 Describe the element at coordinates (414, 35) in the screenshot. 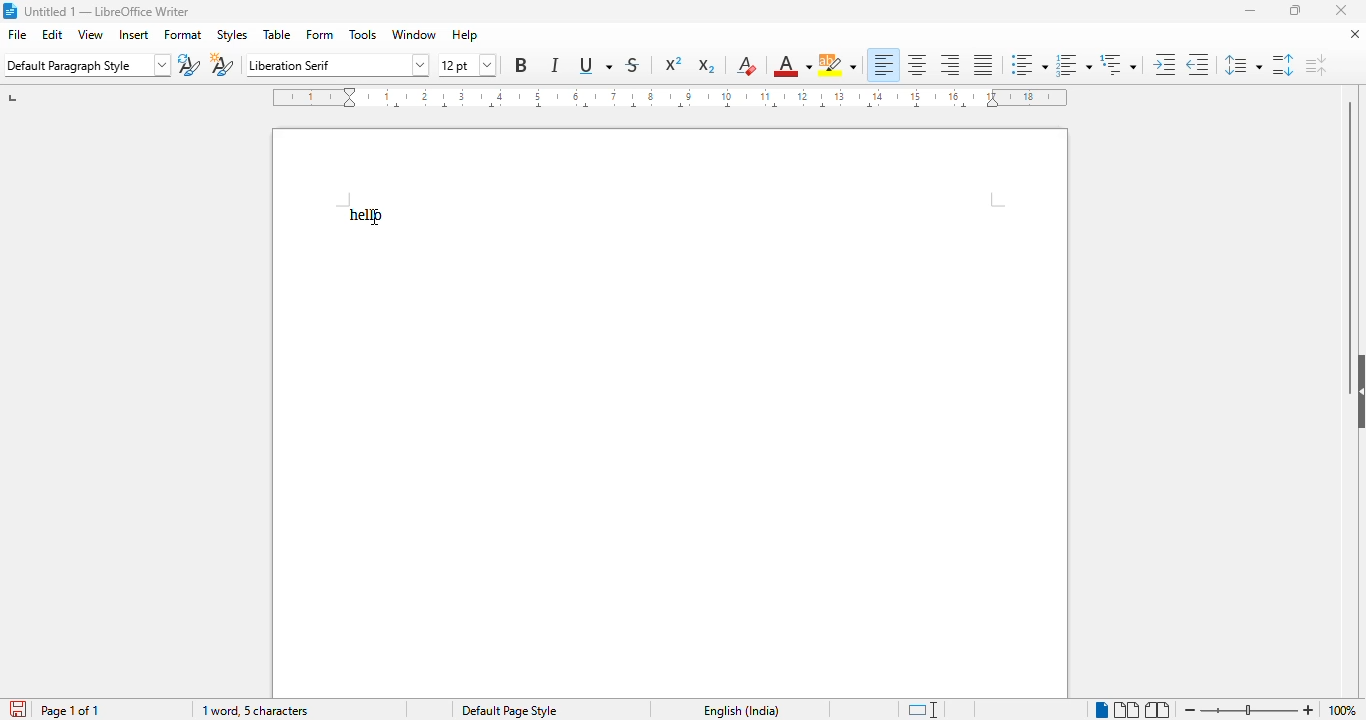

I see `window` at that location.